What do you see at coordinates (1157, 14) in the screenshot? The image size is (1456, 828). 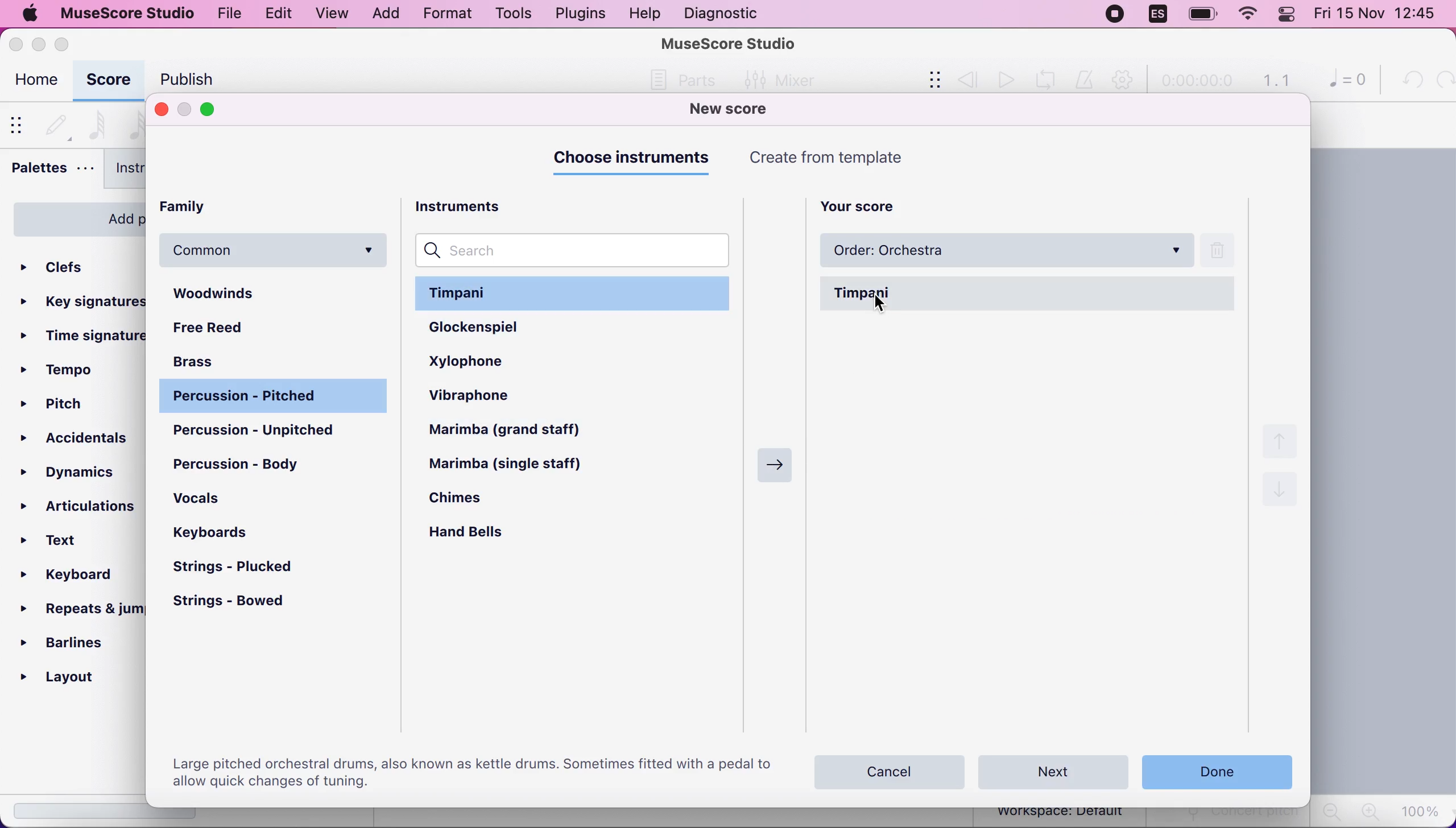 I see `language` at bounding box center [1157, 14].